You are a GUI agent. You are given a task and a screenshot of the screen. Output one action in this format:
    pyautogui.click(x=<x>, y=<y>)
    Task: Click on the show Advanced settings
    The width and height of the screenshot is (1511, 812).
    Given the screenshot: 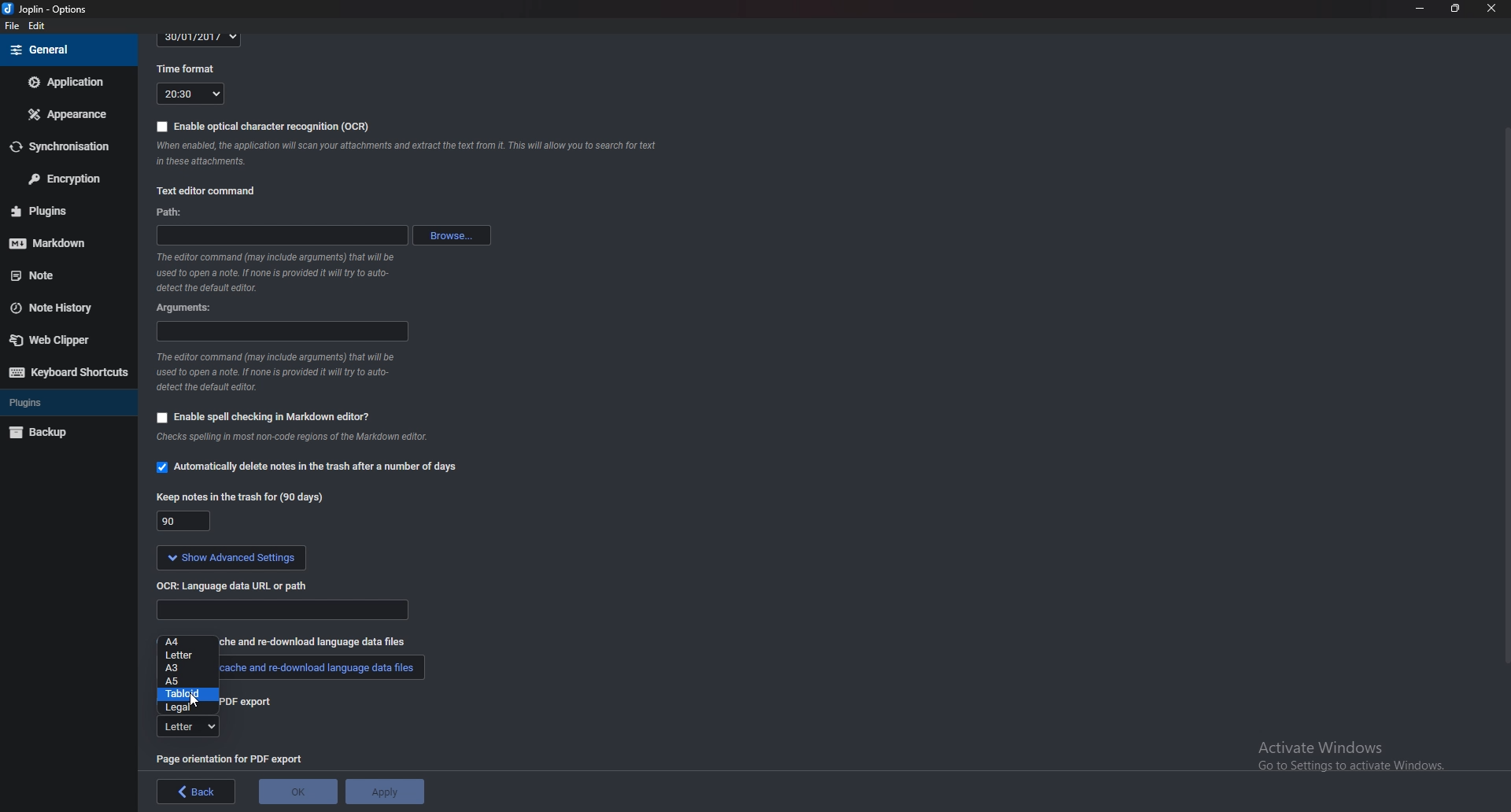 What is the action you would take?
    pyautogui.click(x=231, y=558)
    